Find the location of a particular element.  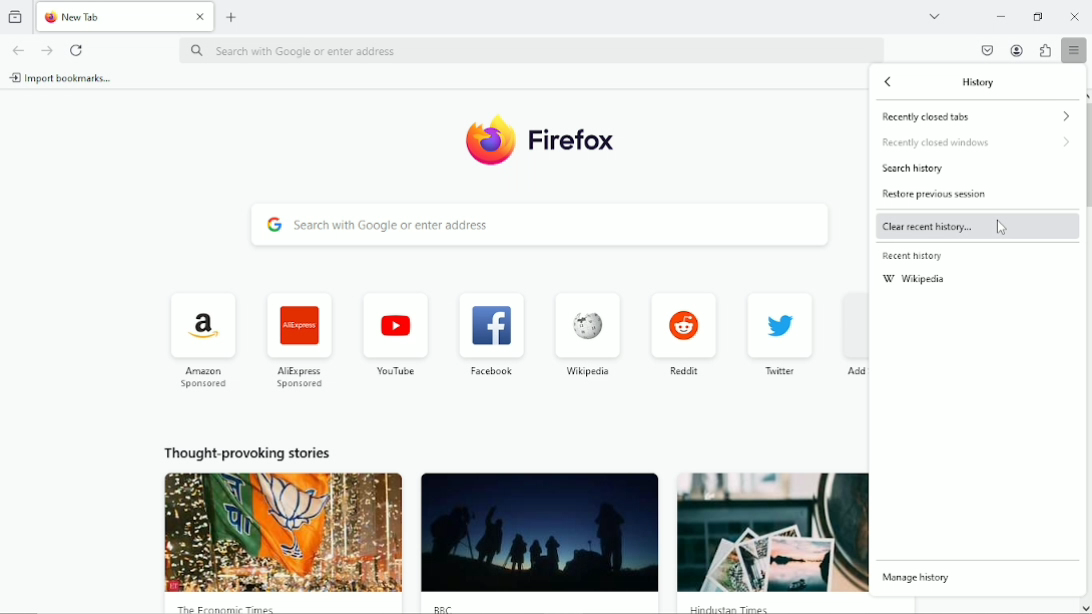

New tab is located at coordinates (235, 17).